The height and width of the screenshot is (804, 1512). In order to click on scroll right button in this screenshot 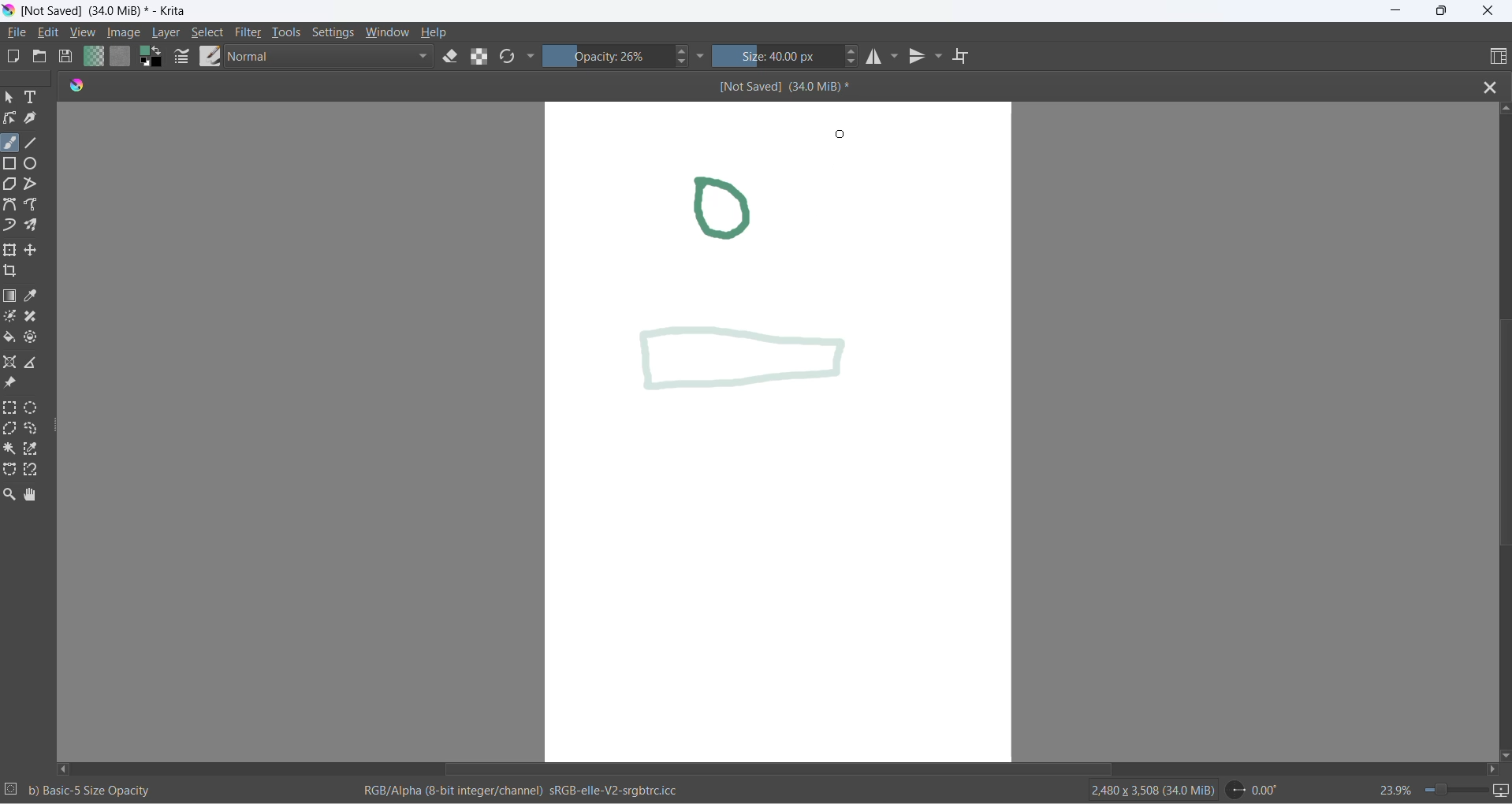, I will do `click(1497, 769)`.